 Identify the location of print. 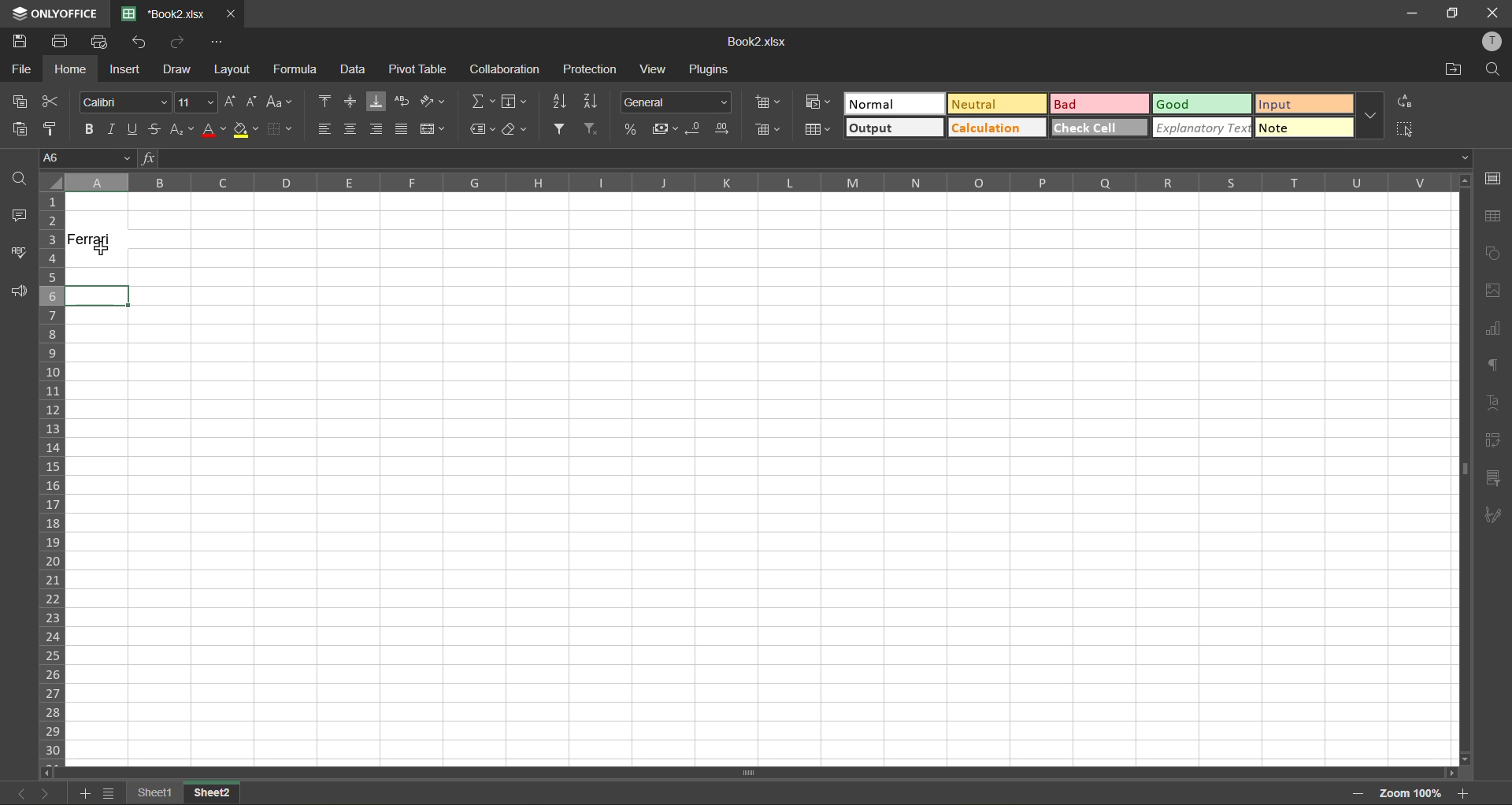
(61, 39).